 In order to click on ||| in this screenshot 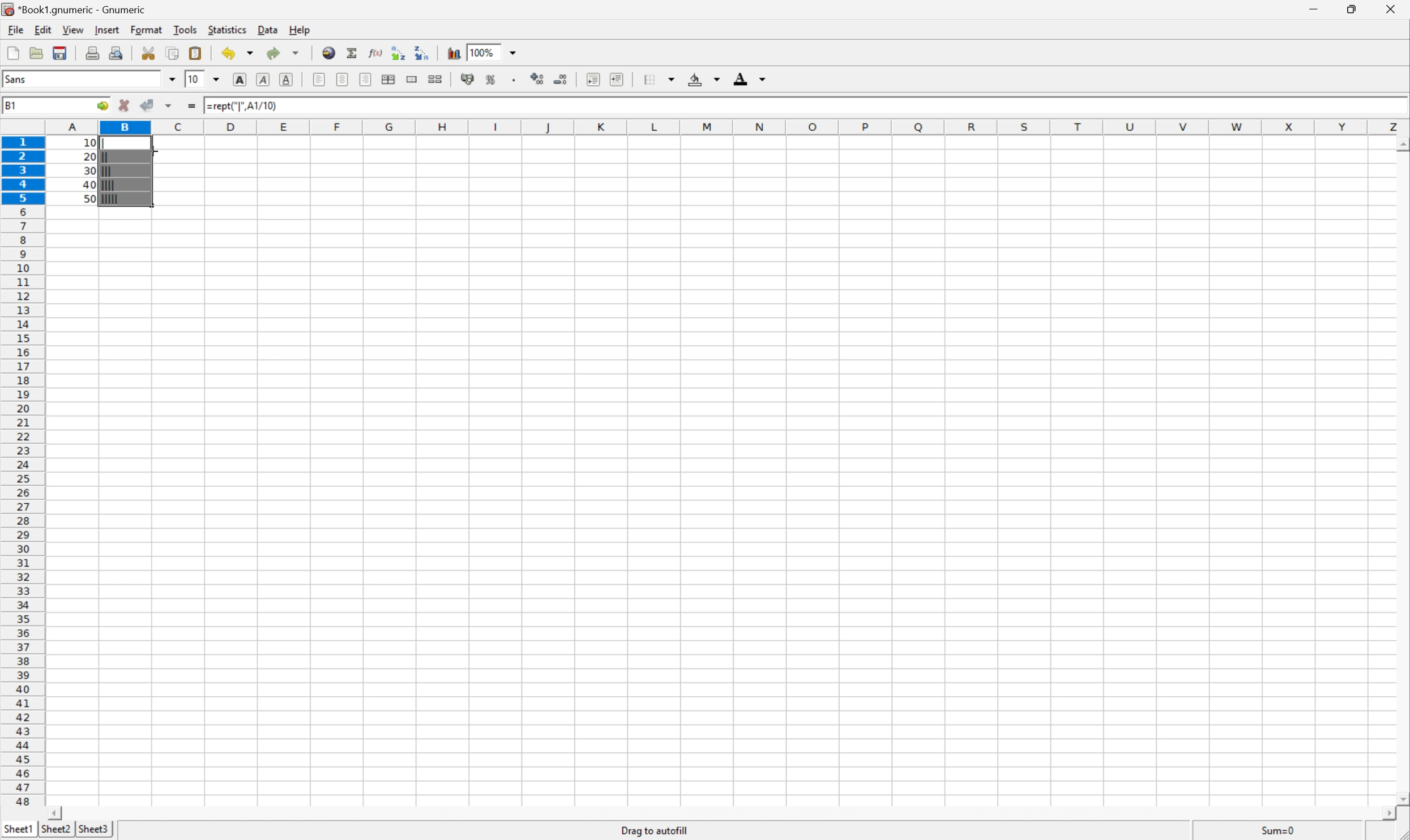, I will do `click(109, 170)`.